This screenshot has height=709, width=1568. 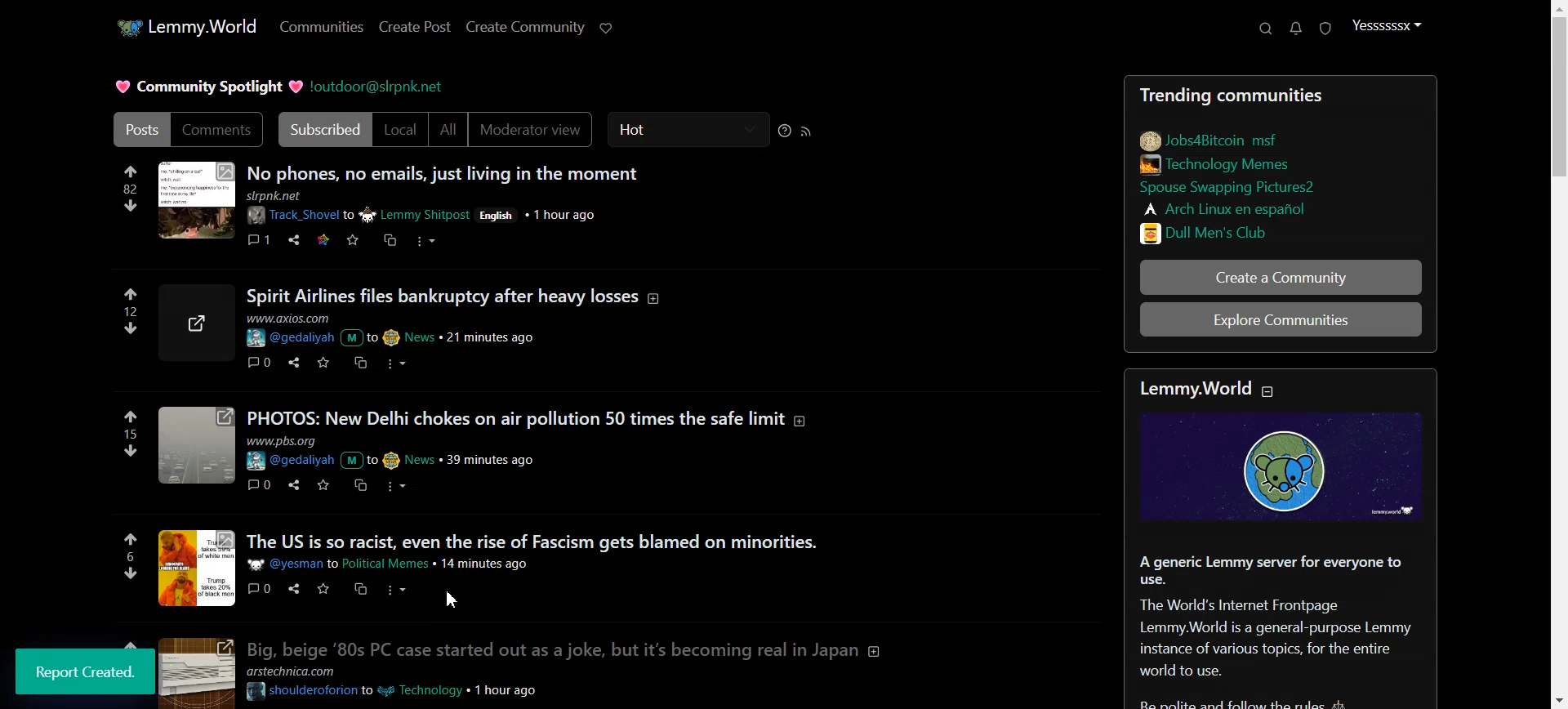 What do you see at coordinates (401, 130) in the screenshot?
I see `Local` at bounding box center [401, 130].